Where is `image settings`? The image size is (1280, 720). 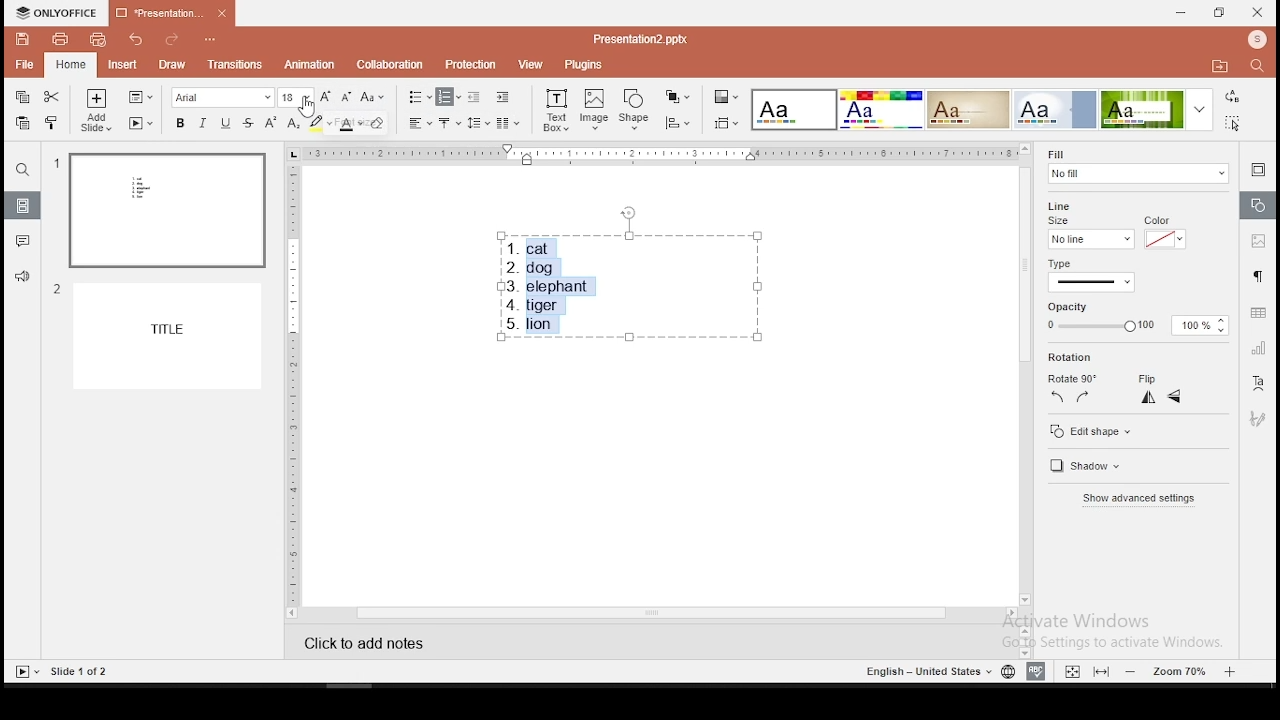
image settings is located at coordinates (1258, 240).